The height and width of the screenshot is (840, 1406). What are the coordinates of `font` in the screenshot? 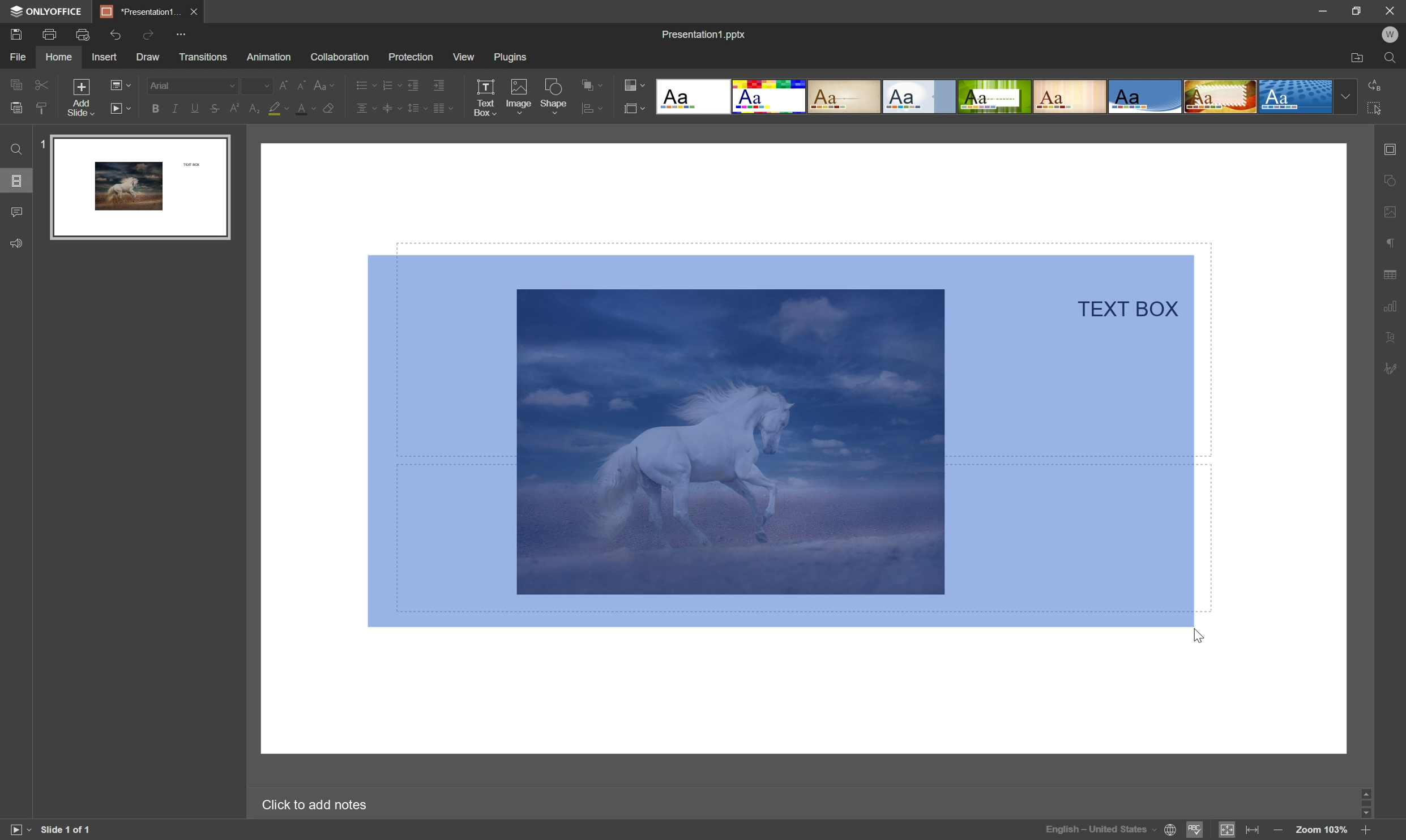 It's located at (191, 84).